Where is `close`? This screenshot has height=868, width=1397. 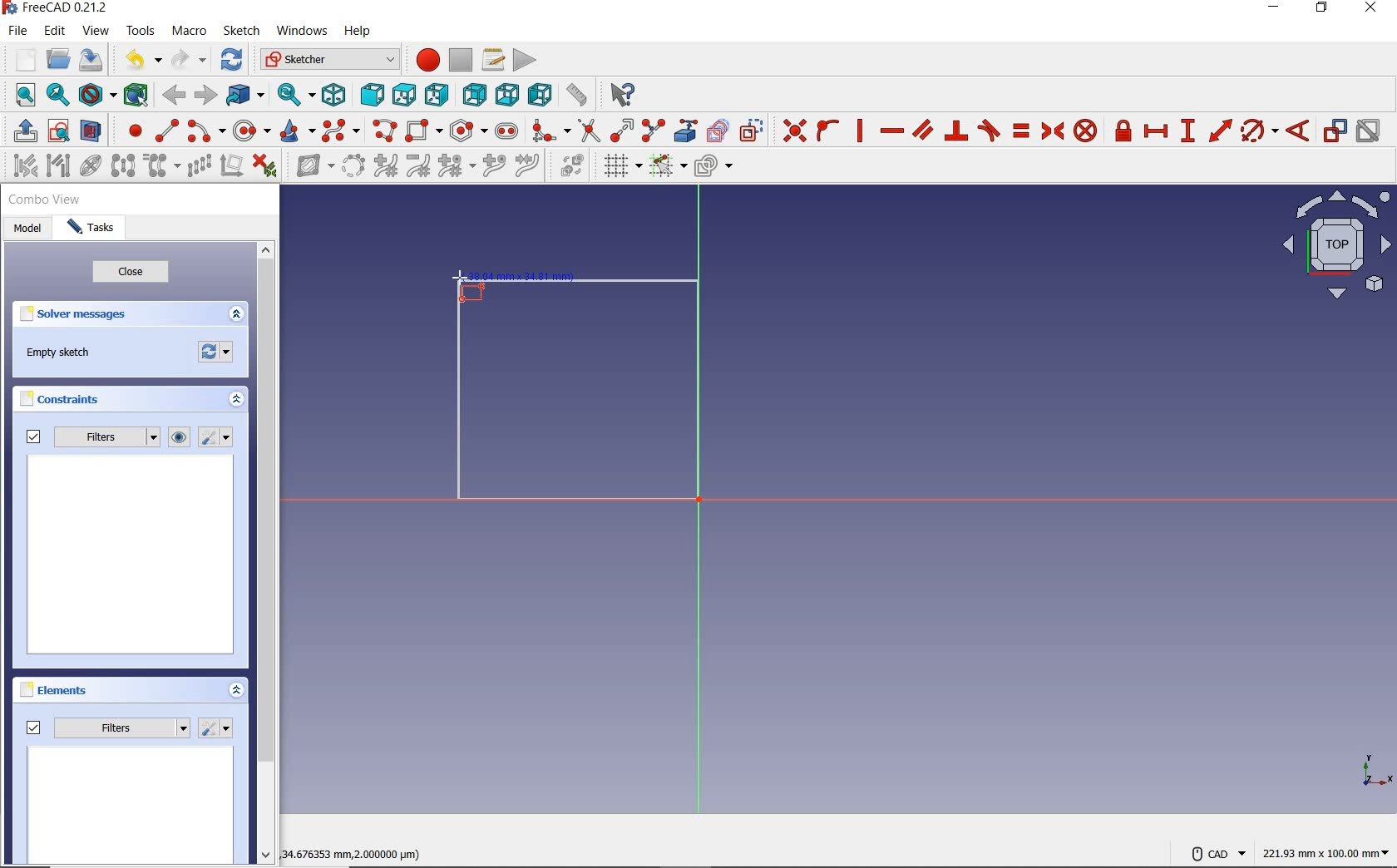
close is located at coordinates (131, 274).